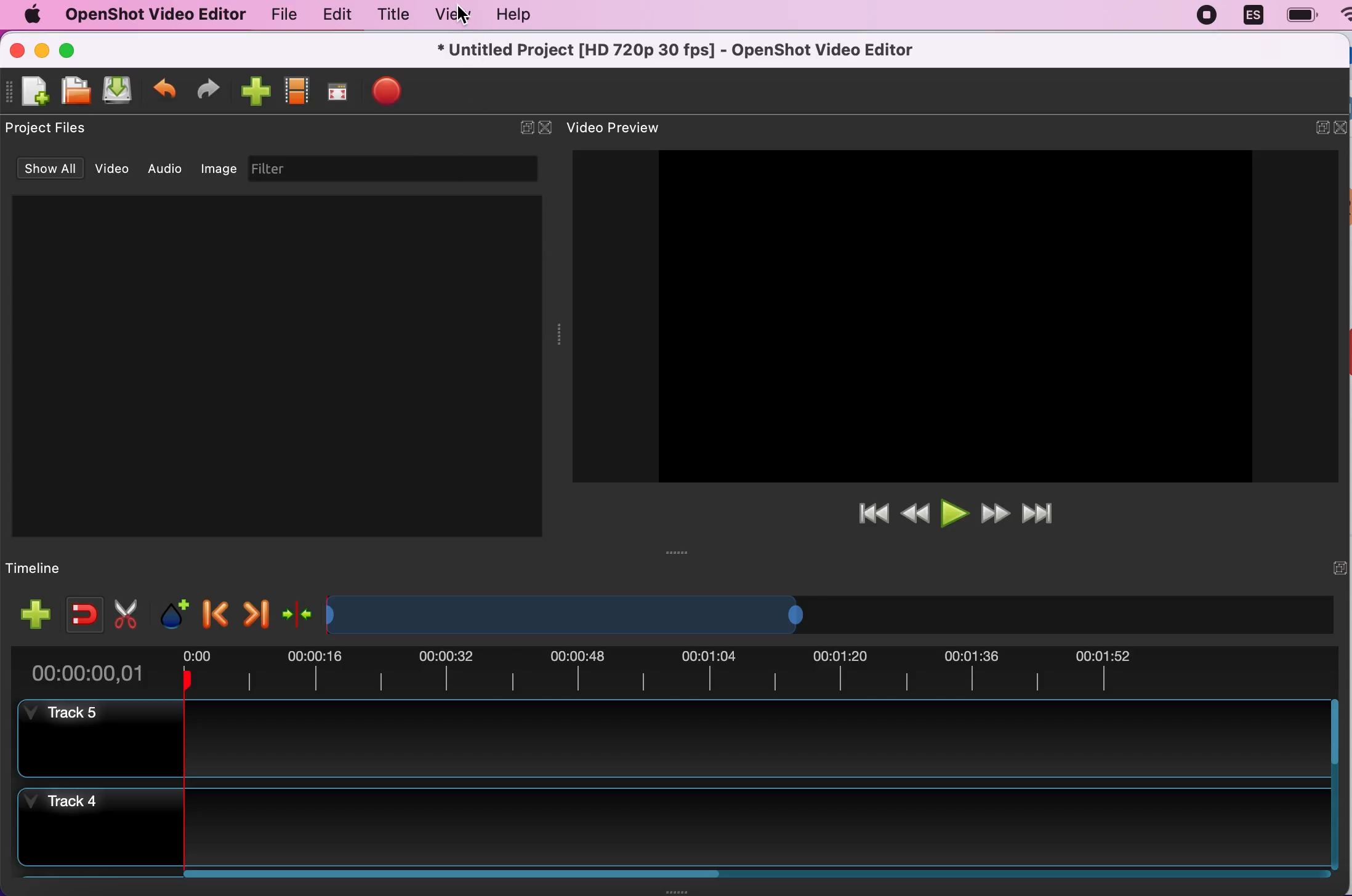 The height and width of the screenshot is (896, 1352). Describe the element at coordinates (22, 53) in the screenshot. I see `close` at that location.